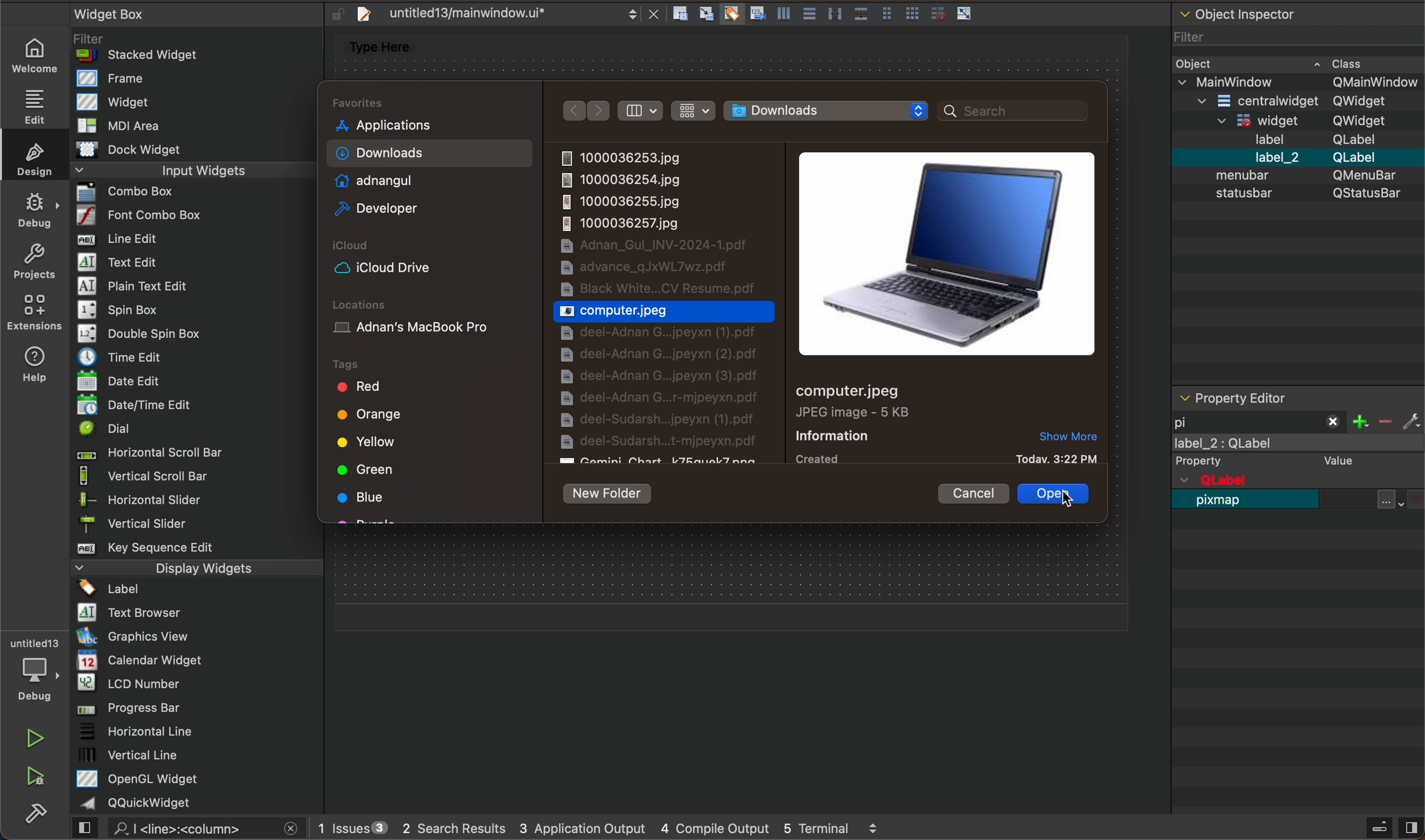  I want to click on cancel, so click(980, 494).